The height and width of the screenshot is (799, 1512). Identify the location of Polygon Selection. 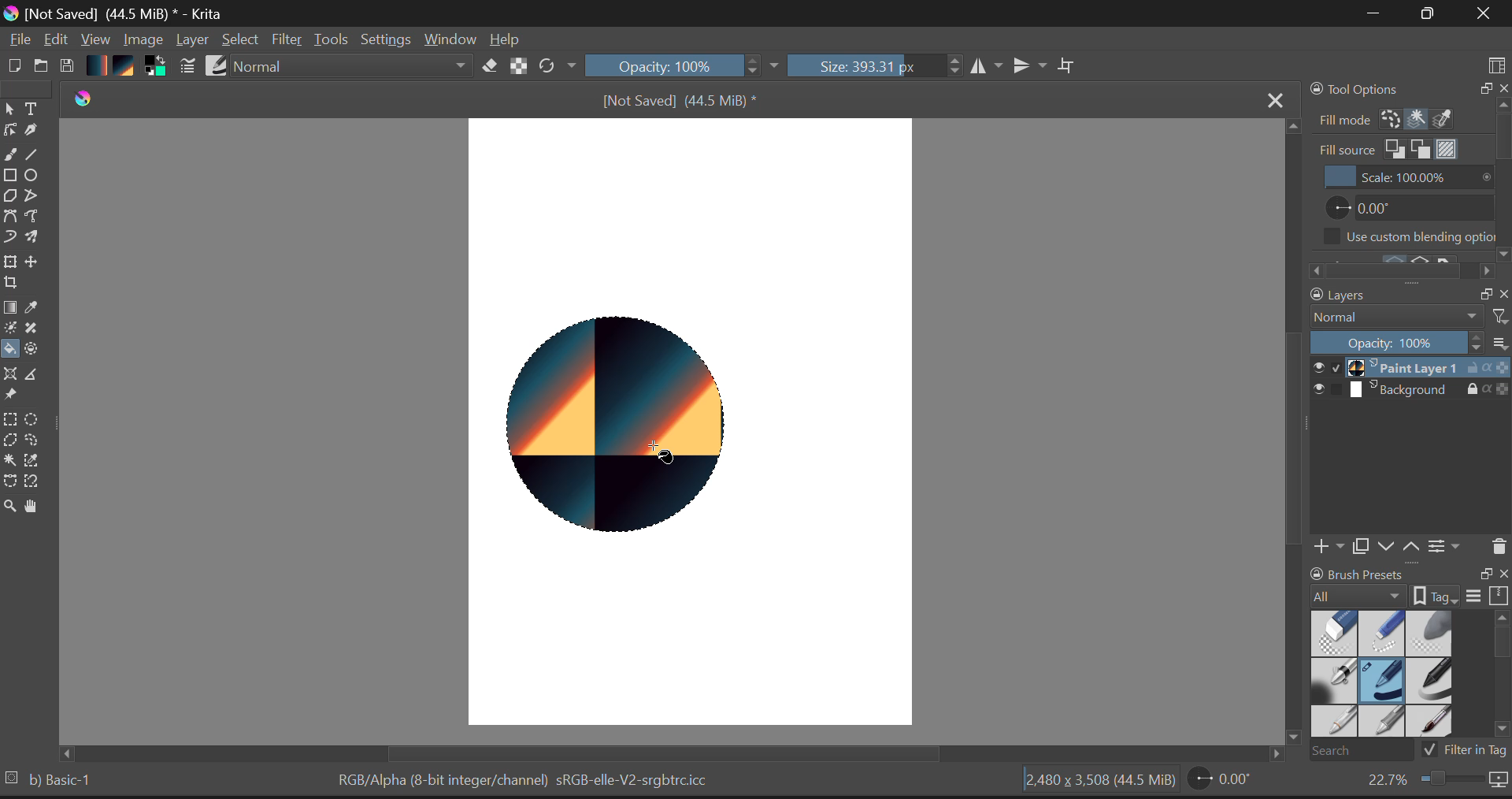
(13, 443).